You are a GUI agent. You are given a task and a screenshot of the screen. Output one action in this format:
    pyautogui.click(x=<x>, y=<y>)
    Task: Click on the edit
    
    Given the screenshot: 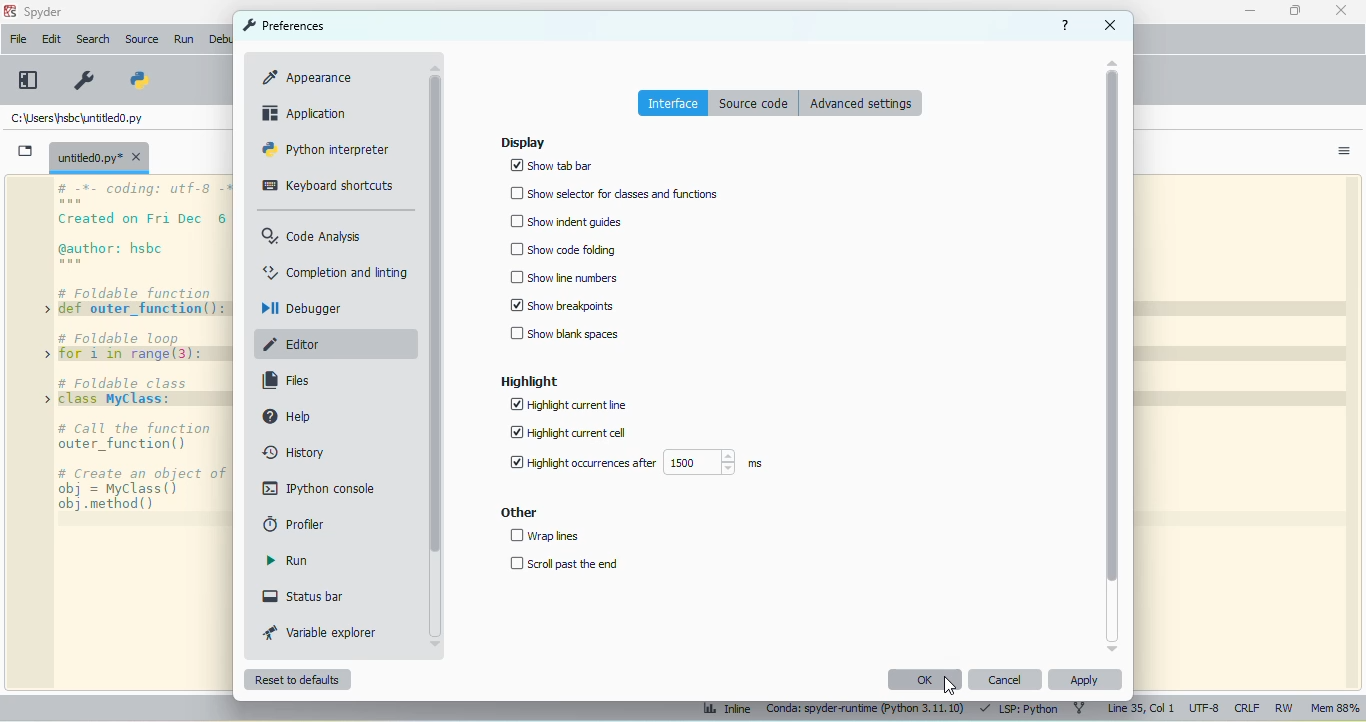 What is the action you would take?
    pyautogui.click(x=50, y=38)
    